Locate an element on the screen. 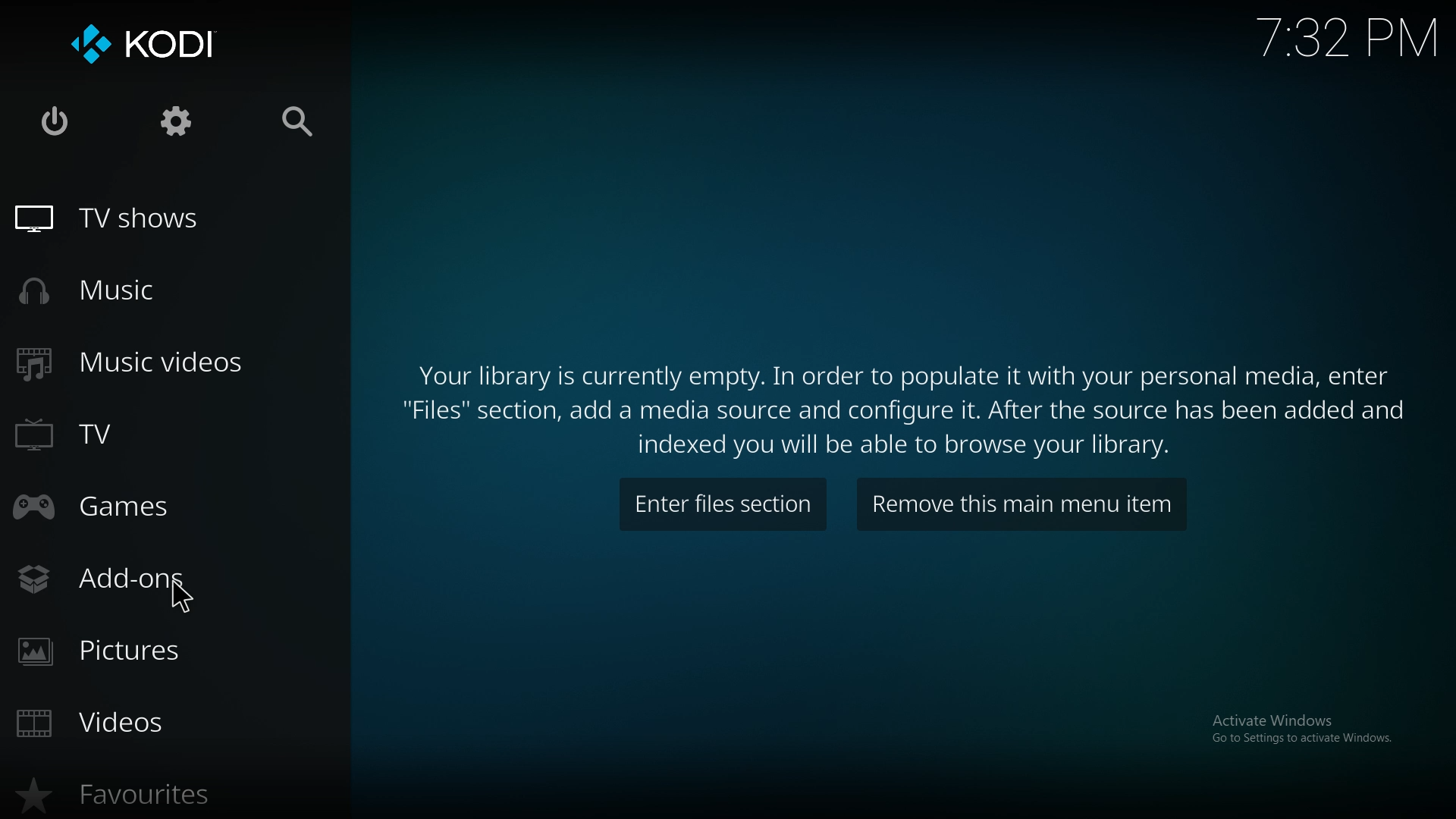  search is located at coordinates (299, 121).